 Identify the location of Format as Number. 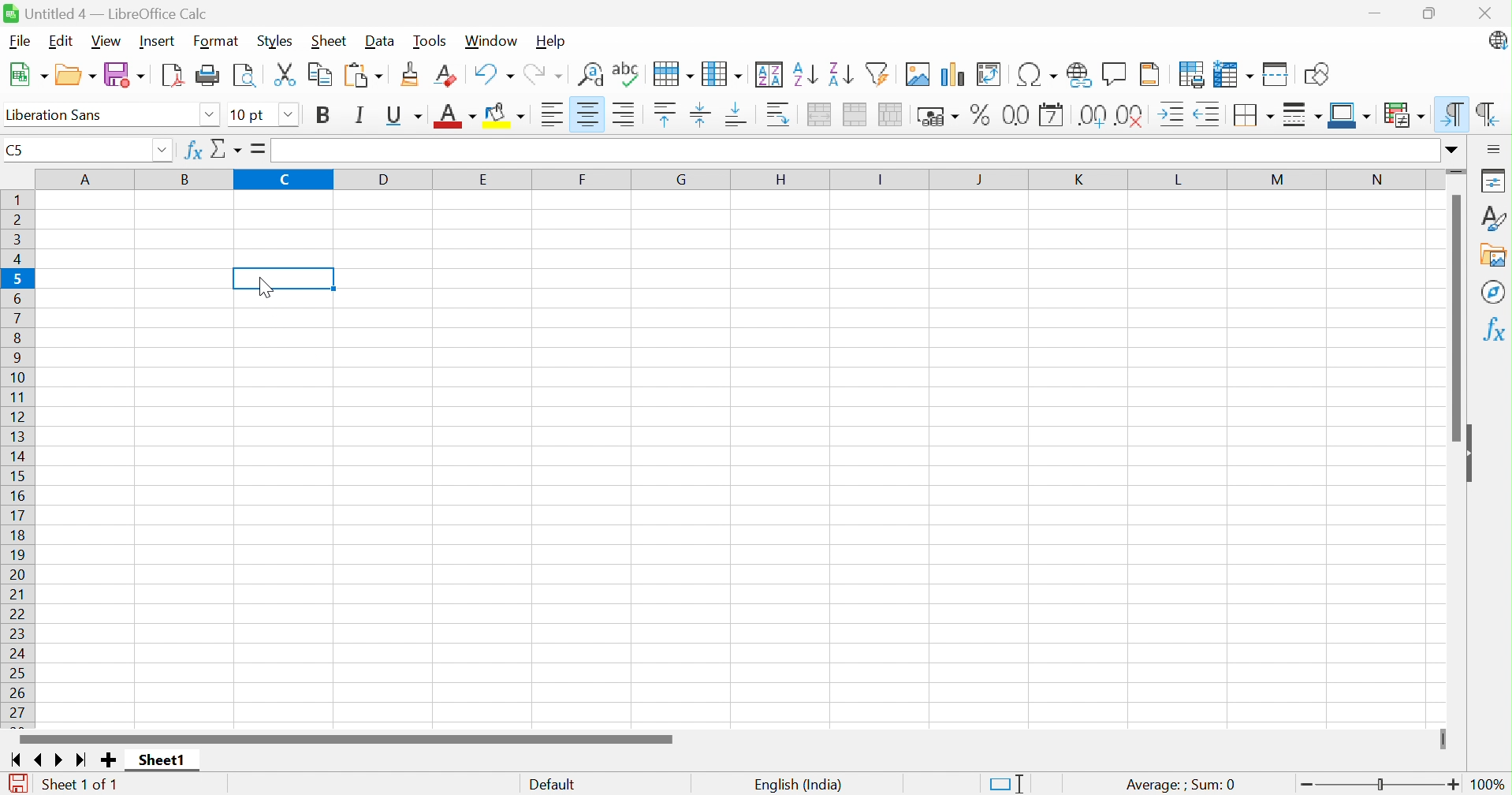
(1015, 114).